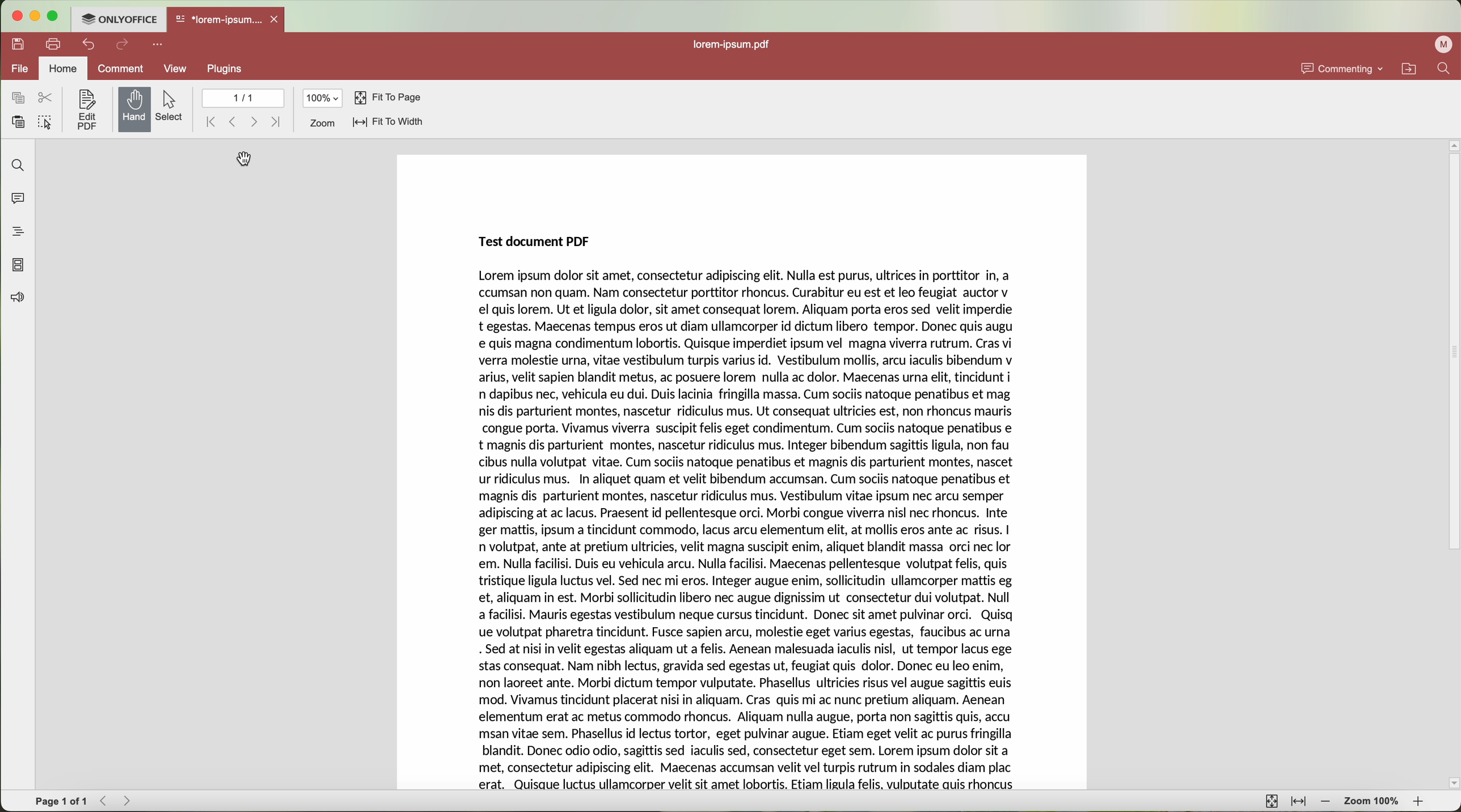  What do you see at coordinates (123, 69) in the screenshot?
I see `comment` at bounding box center [123, 69].